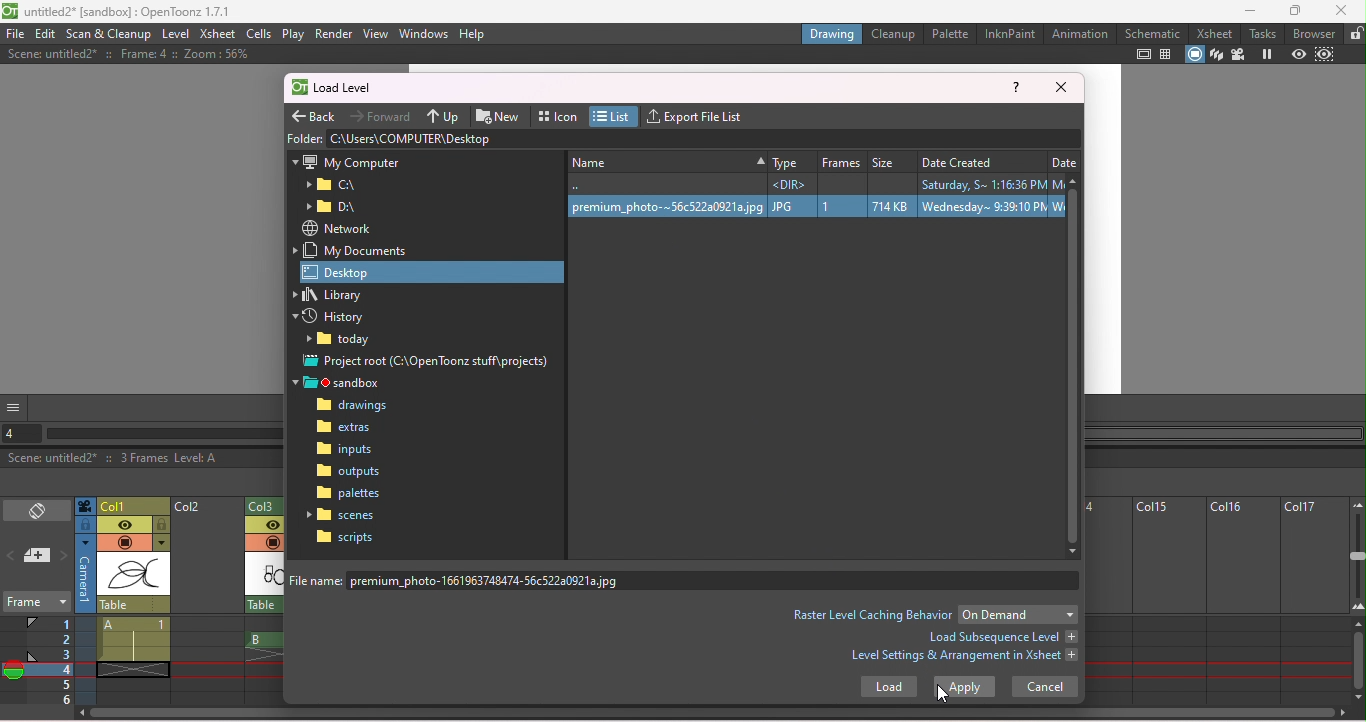 Image resolution: width=1366 pixels, height=722 pixels. I want to click on Column 16, so click(1241, 601).